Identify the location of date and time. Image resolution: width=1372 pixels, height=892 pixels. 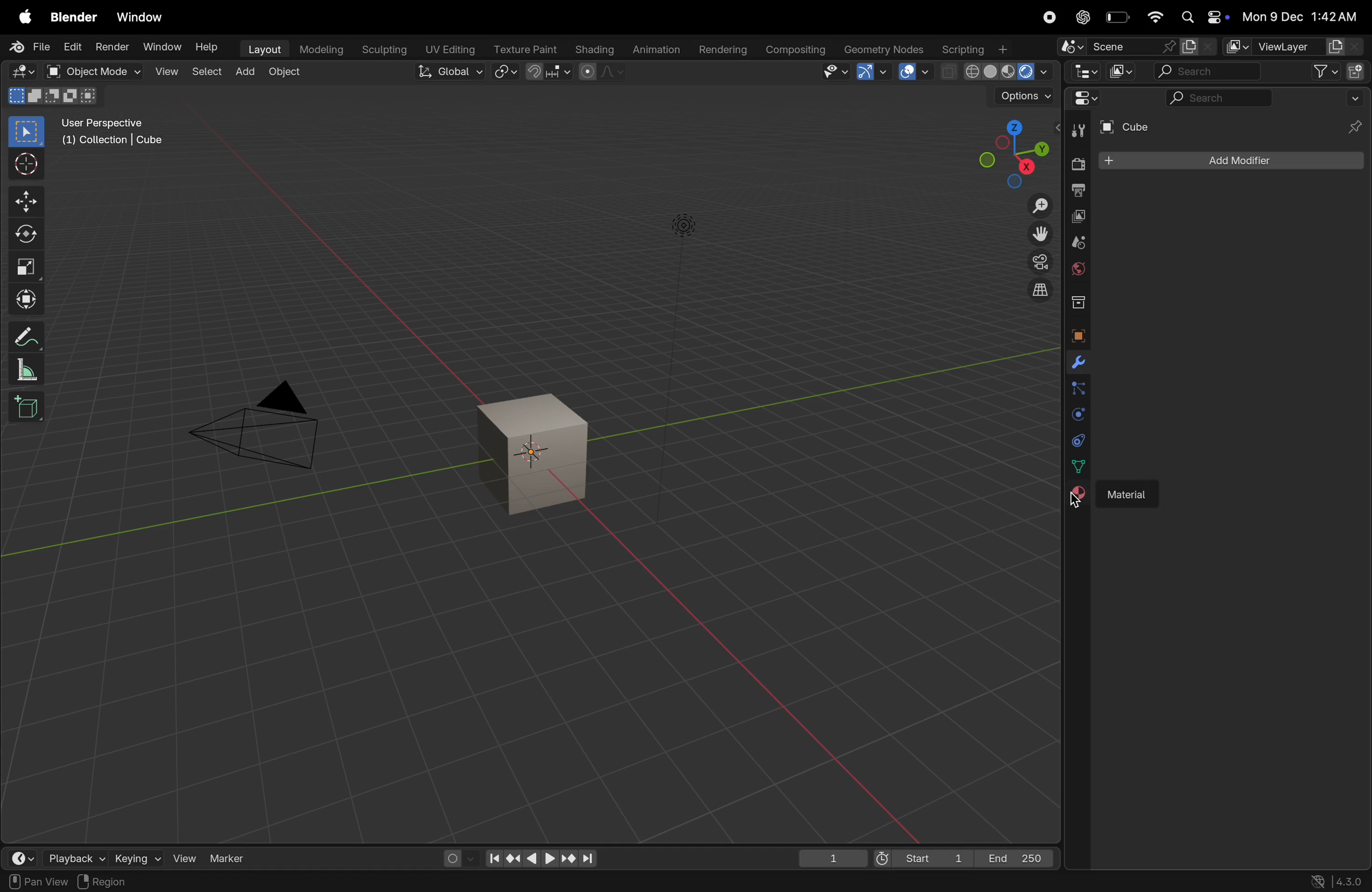
(1302, 16).